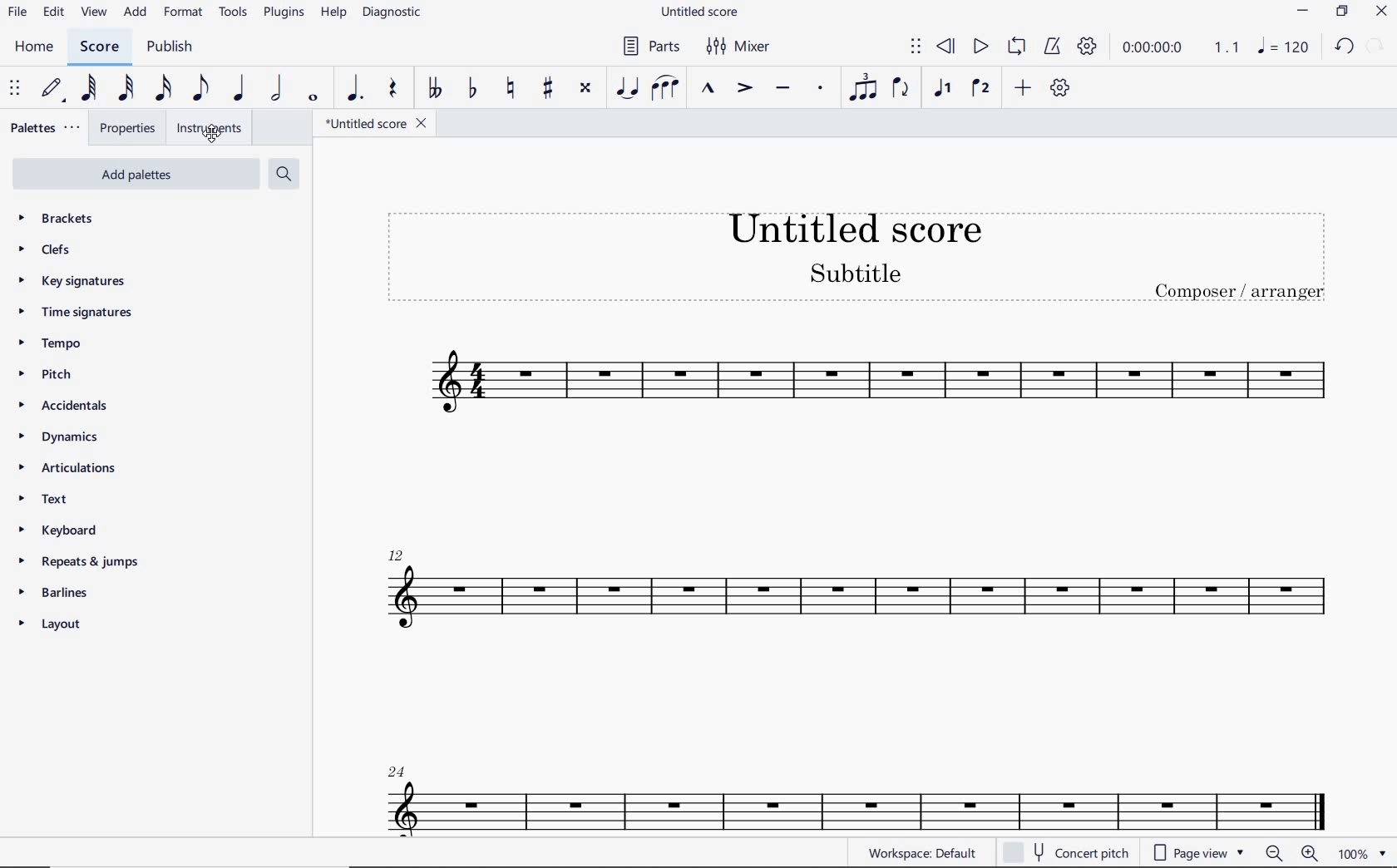 The width and height of the screenshot is (1397, 868). I want to click on 64TH NOTE, so click(90, 88).